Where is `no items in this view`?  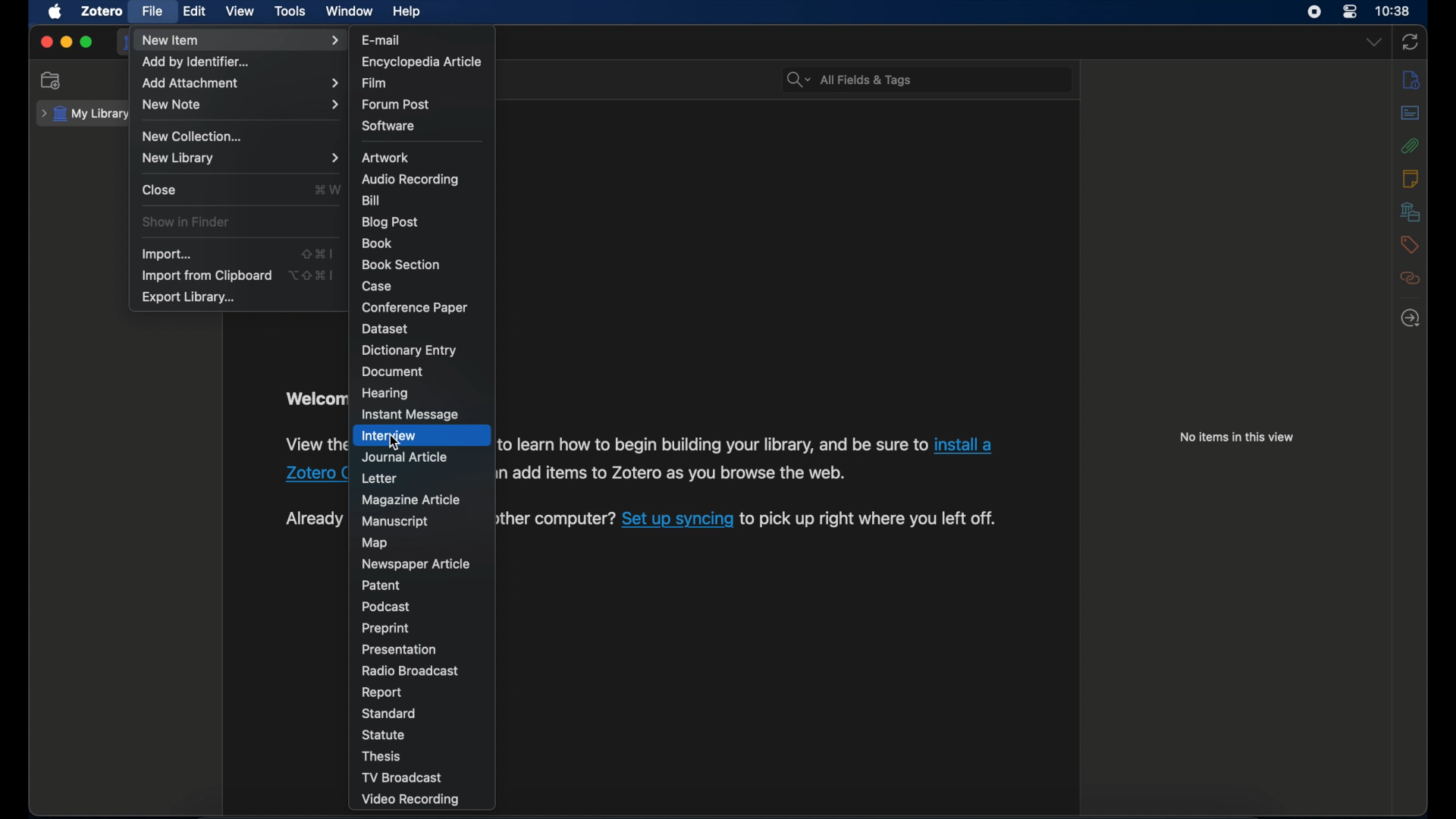
no items in this view is located at coordinates (1237, 438).